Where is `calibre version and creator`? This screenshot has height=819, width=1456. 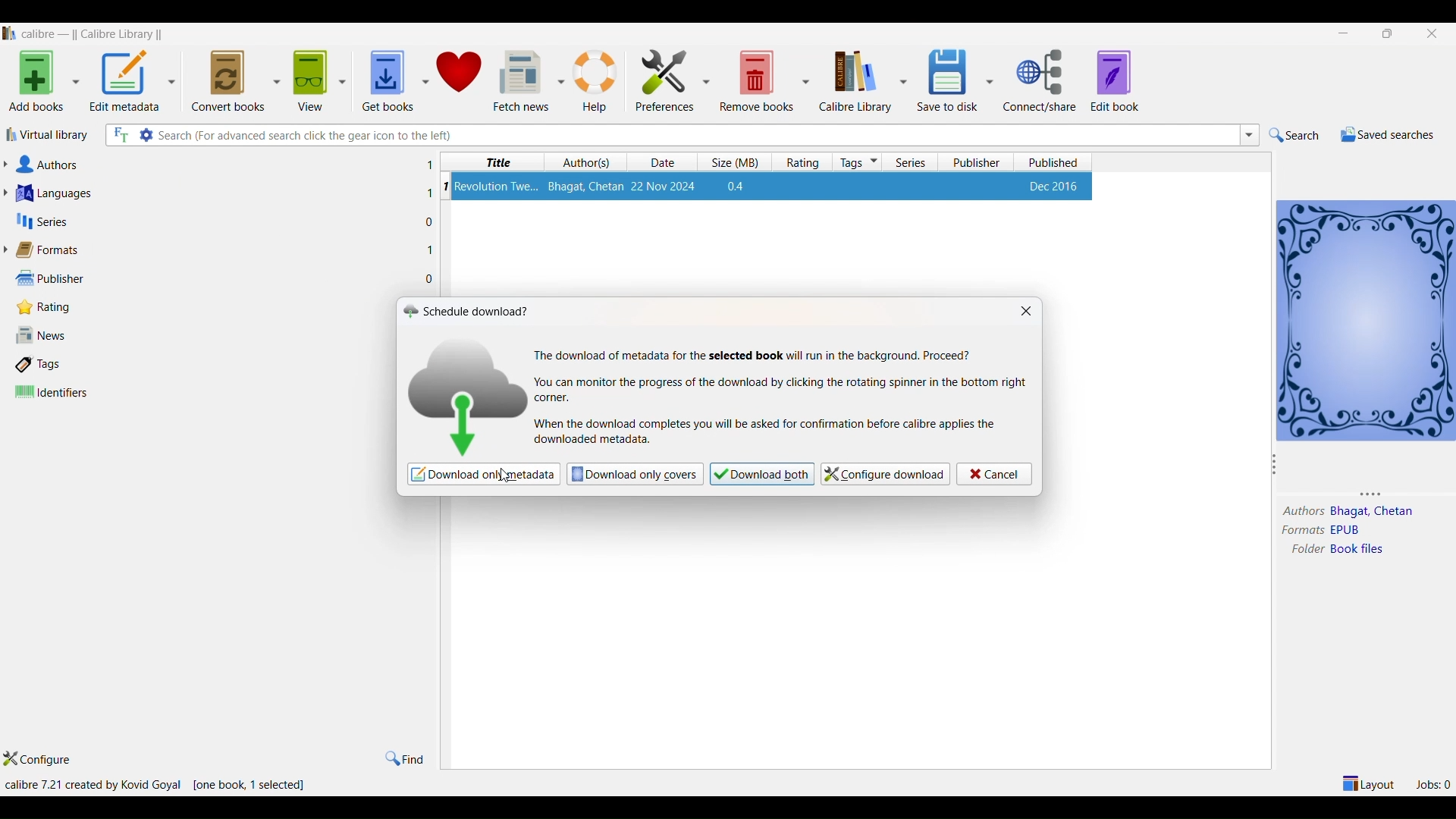 calibre version and creator is located at coordinates (92, 783).